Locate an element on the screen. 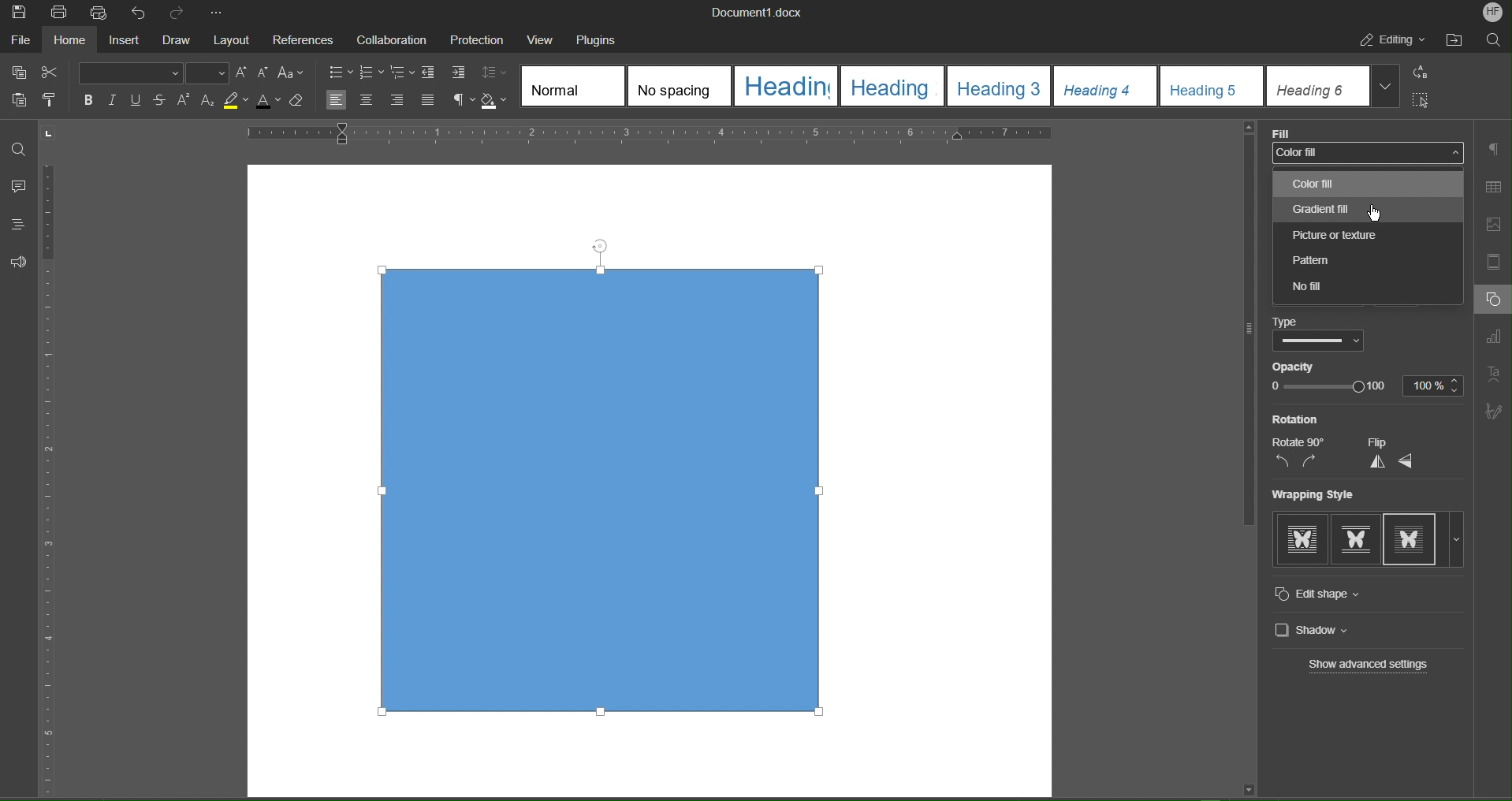 The image size is (1512, 801). Feedback and Support is located at coordinates (19, 263).